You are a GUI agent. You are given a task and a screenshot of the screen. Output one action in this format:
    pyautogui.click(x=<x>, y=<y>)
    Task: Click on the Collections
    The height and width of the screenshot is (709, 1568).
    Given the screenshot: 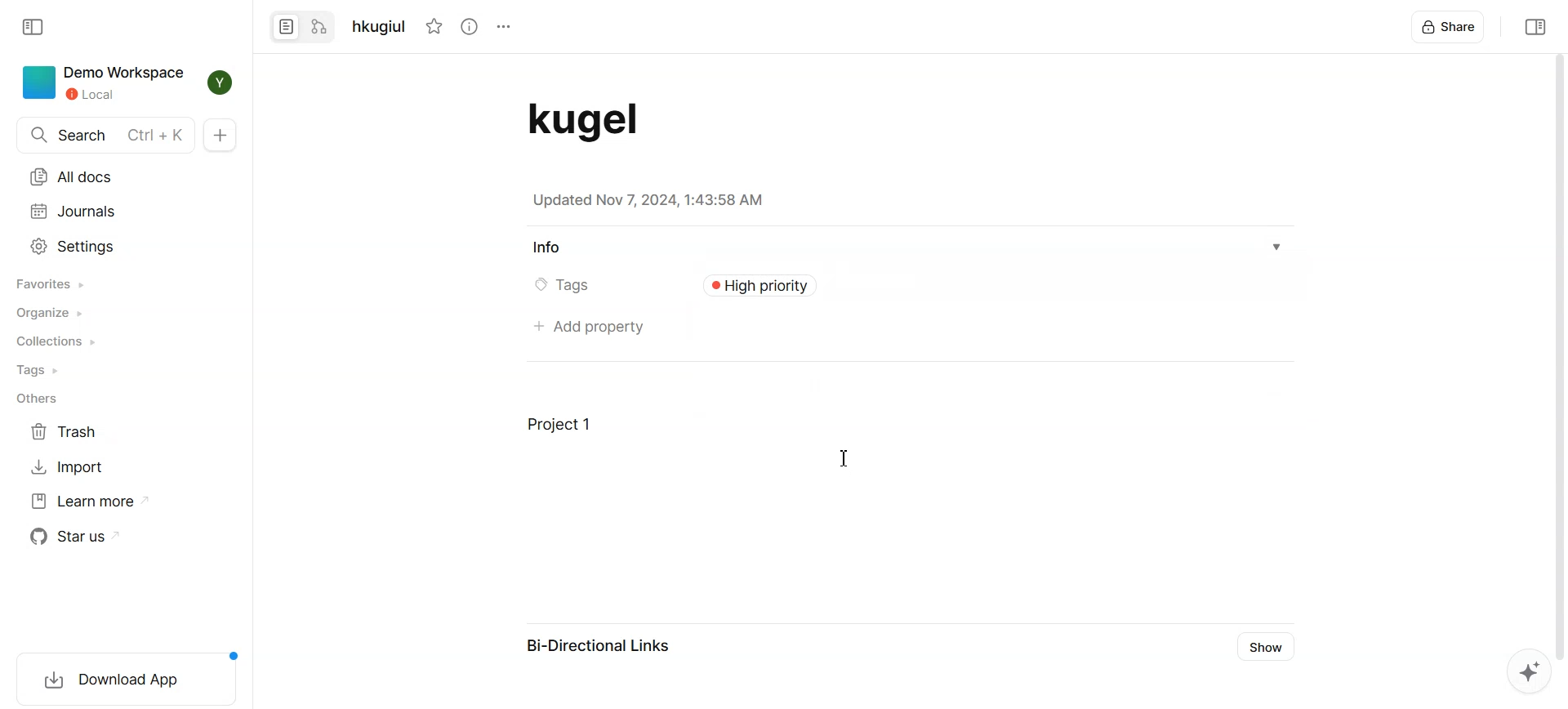 What is the action you would take?
    pyautogui.click(x=55, y=342)
    